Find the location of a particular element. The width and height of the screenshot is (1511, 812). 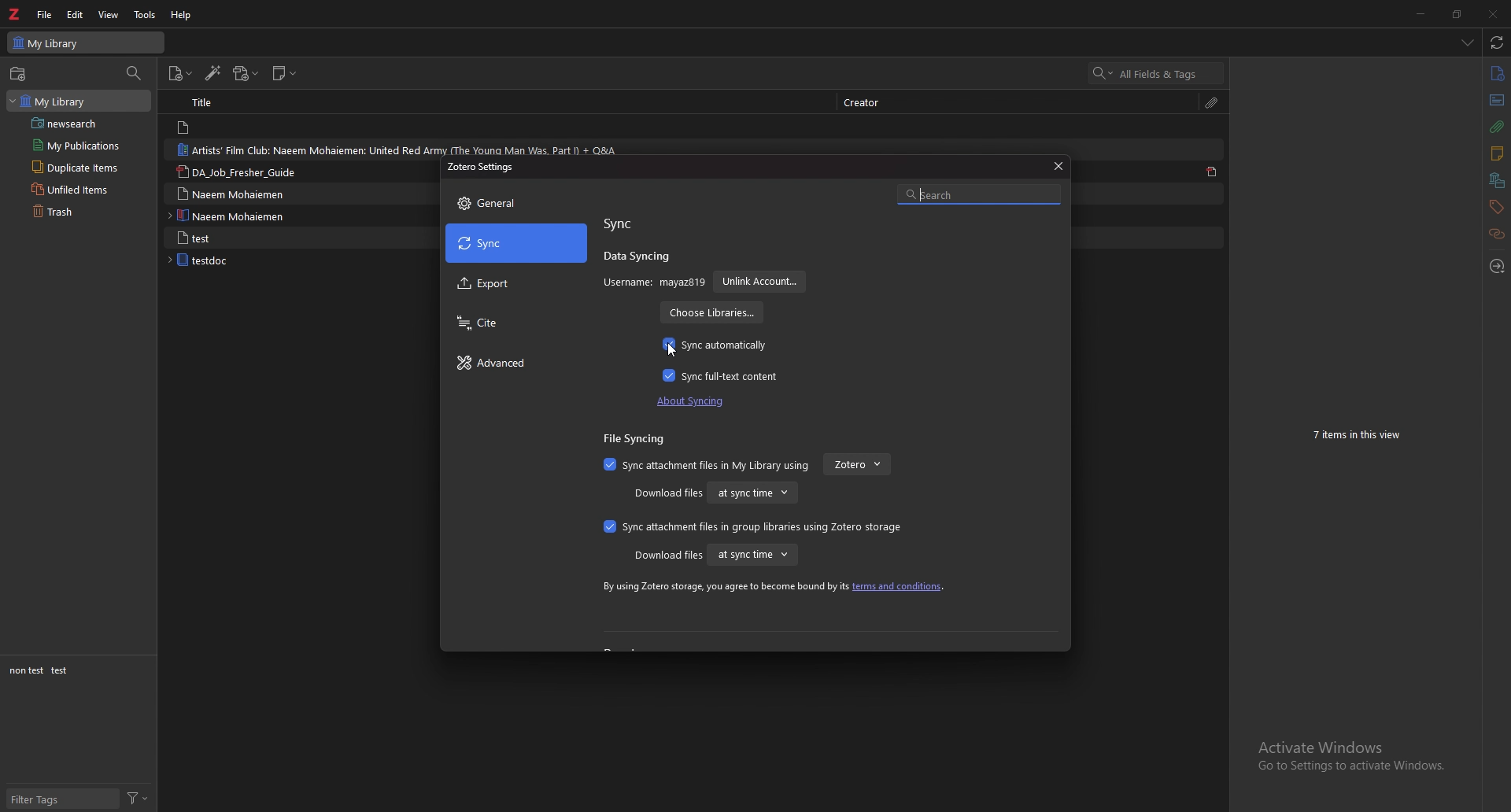

choose libraries... is located at coordinates (710, 313).